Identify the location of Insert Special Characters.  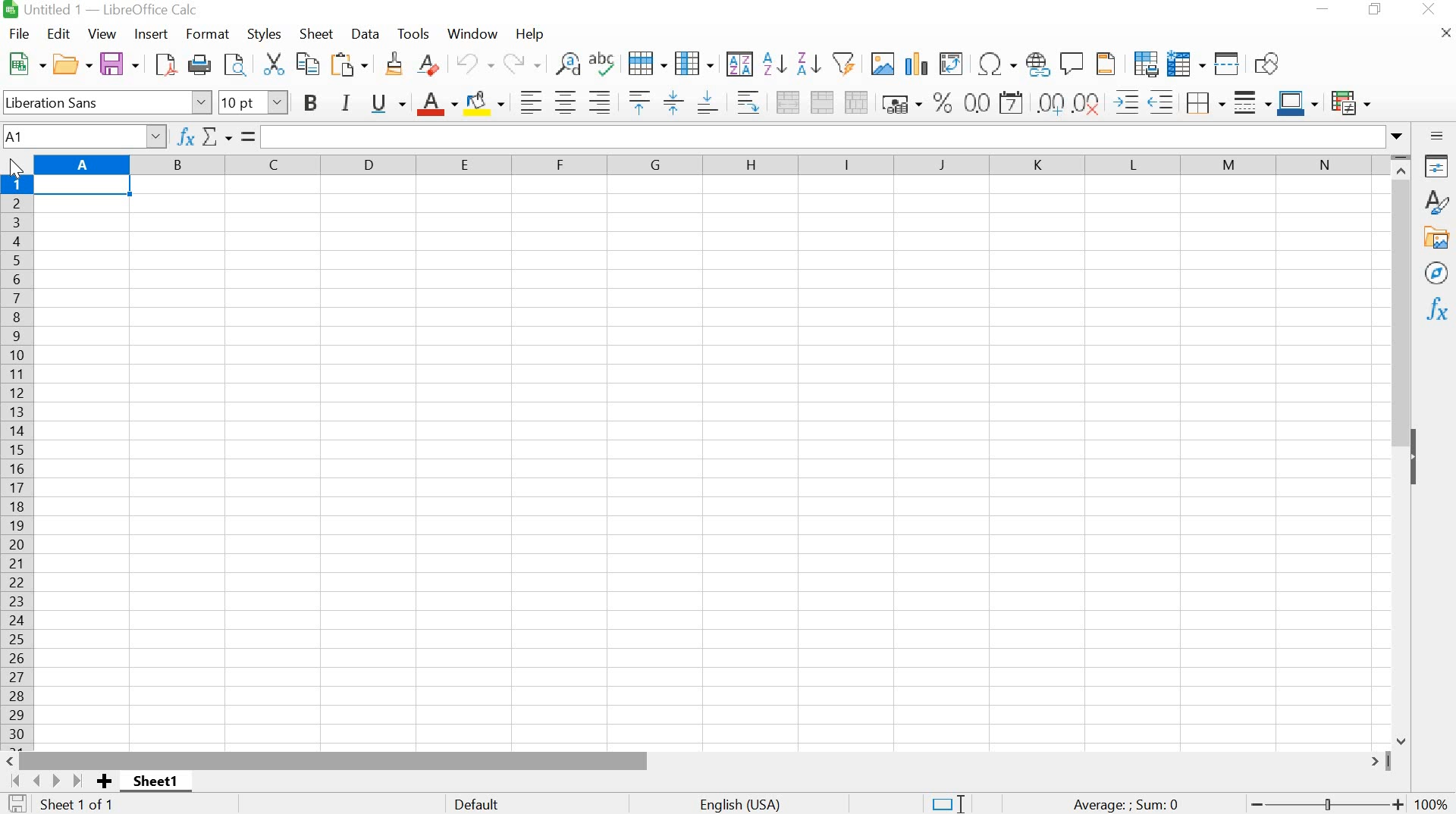
(996, 61).